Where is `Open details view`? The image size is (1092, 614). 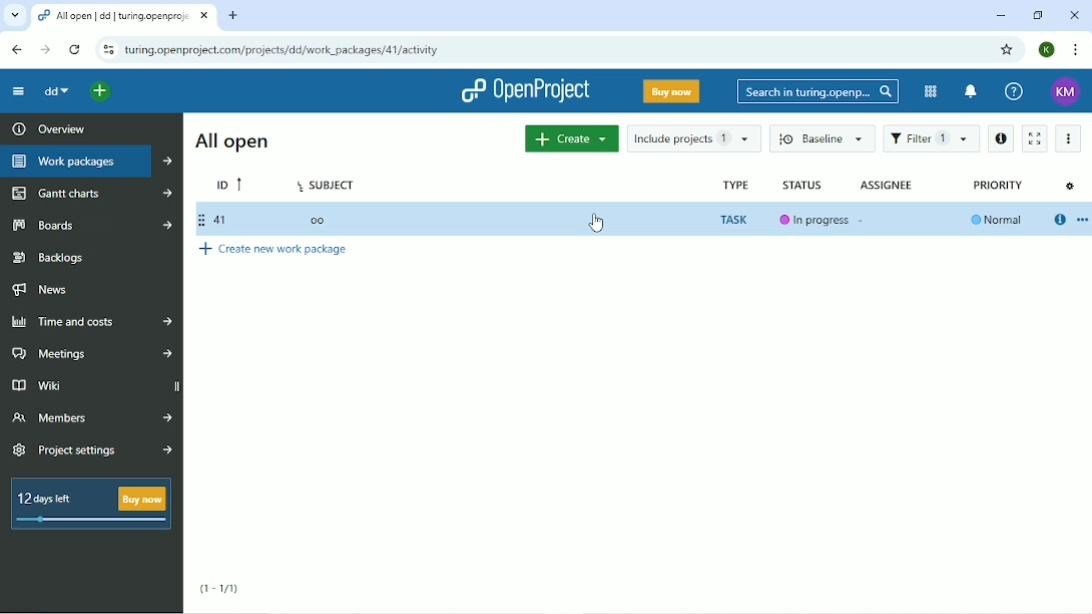
Open details view is located at coordinates (1001, 139).